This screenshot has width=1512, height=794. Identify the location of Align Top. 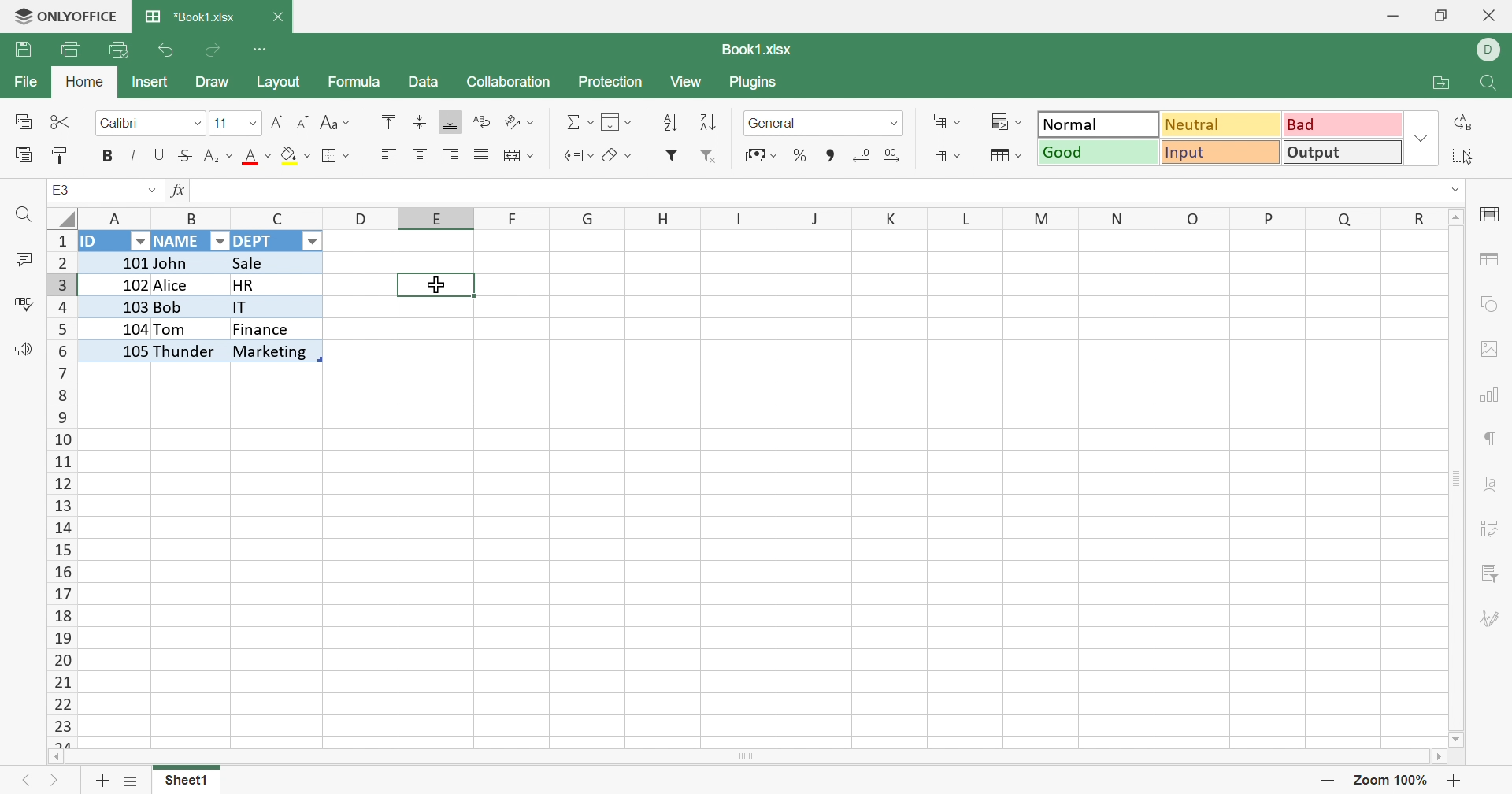
(391, 121).